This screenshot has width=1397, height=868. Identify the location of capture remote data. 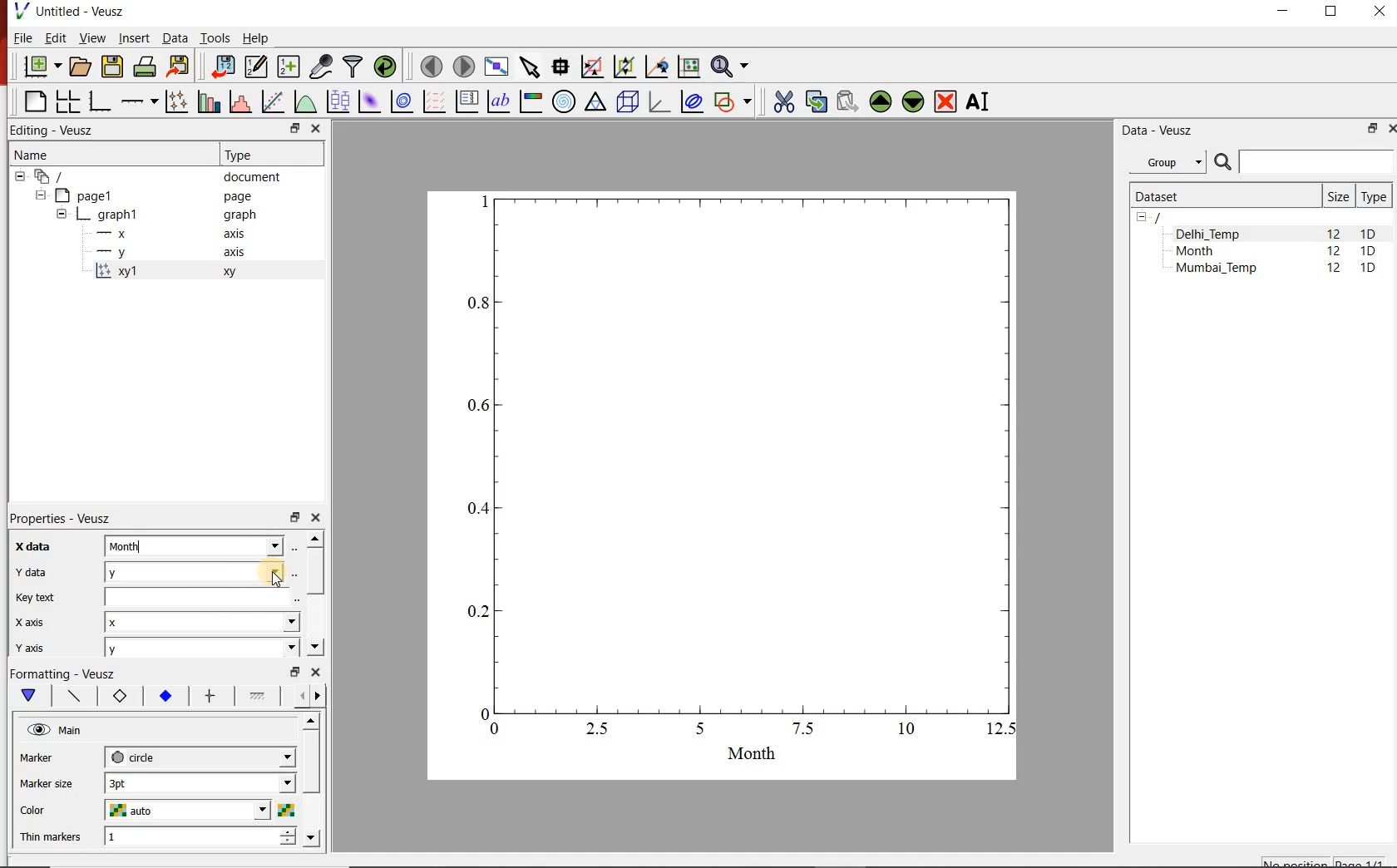
(322, 67).